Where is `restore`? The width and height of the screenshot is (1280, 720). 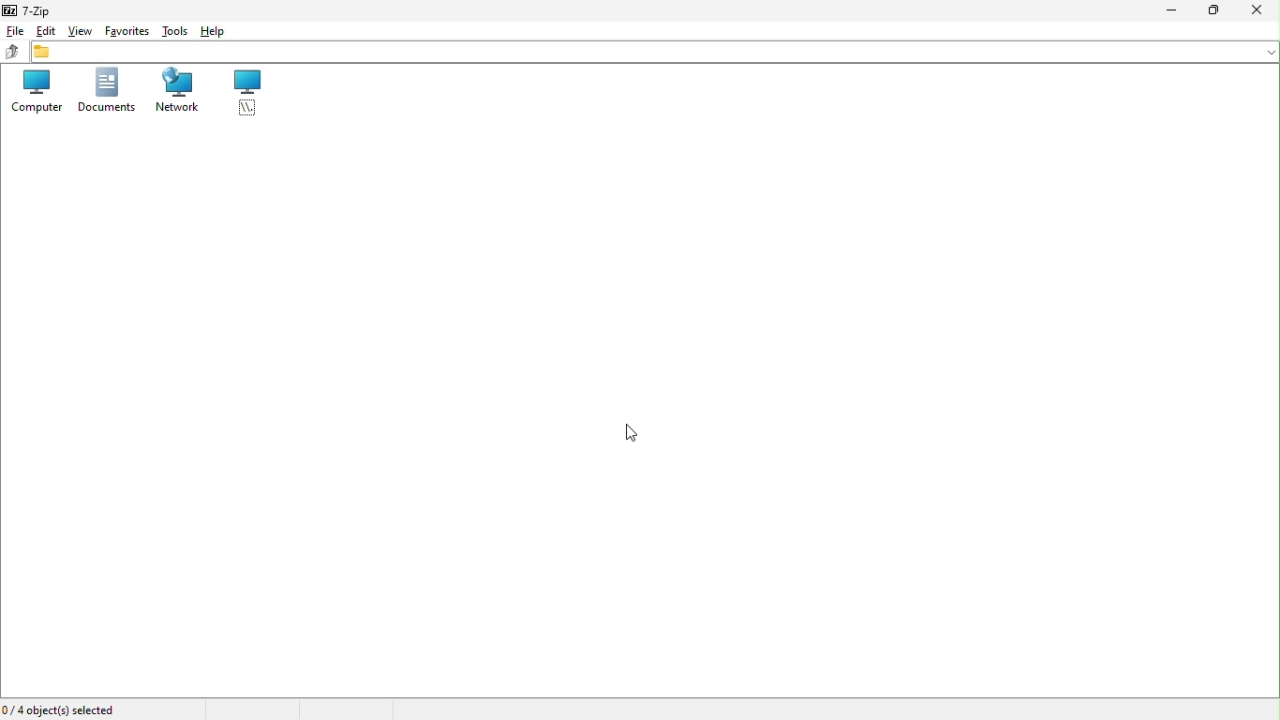
restore is located at coordinates (1219, 10).